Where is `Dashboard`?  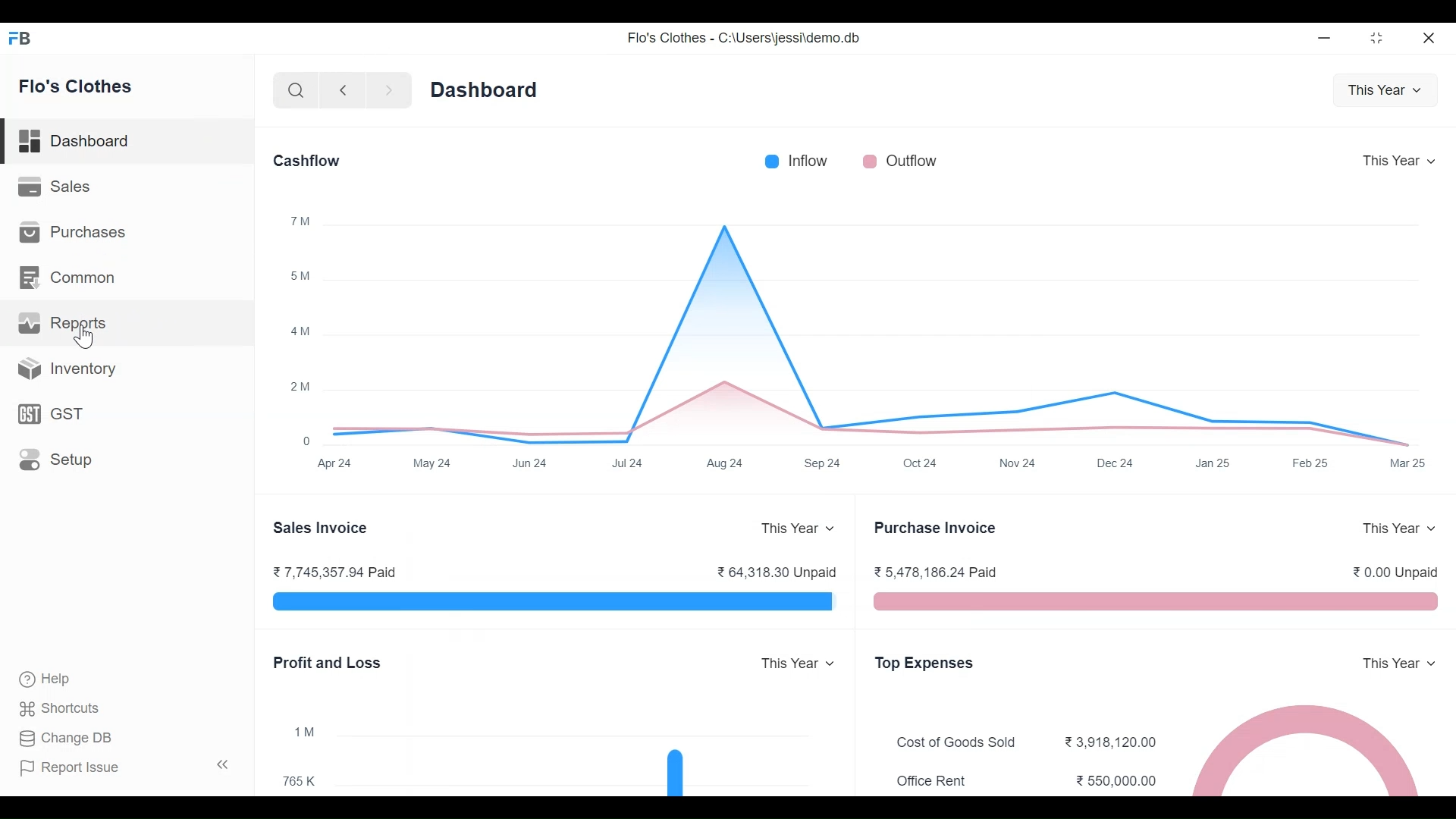 Dashboard is located at coordinates (484, 89).